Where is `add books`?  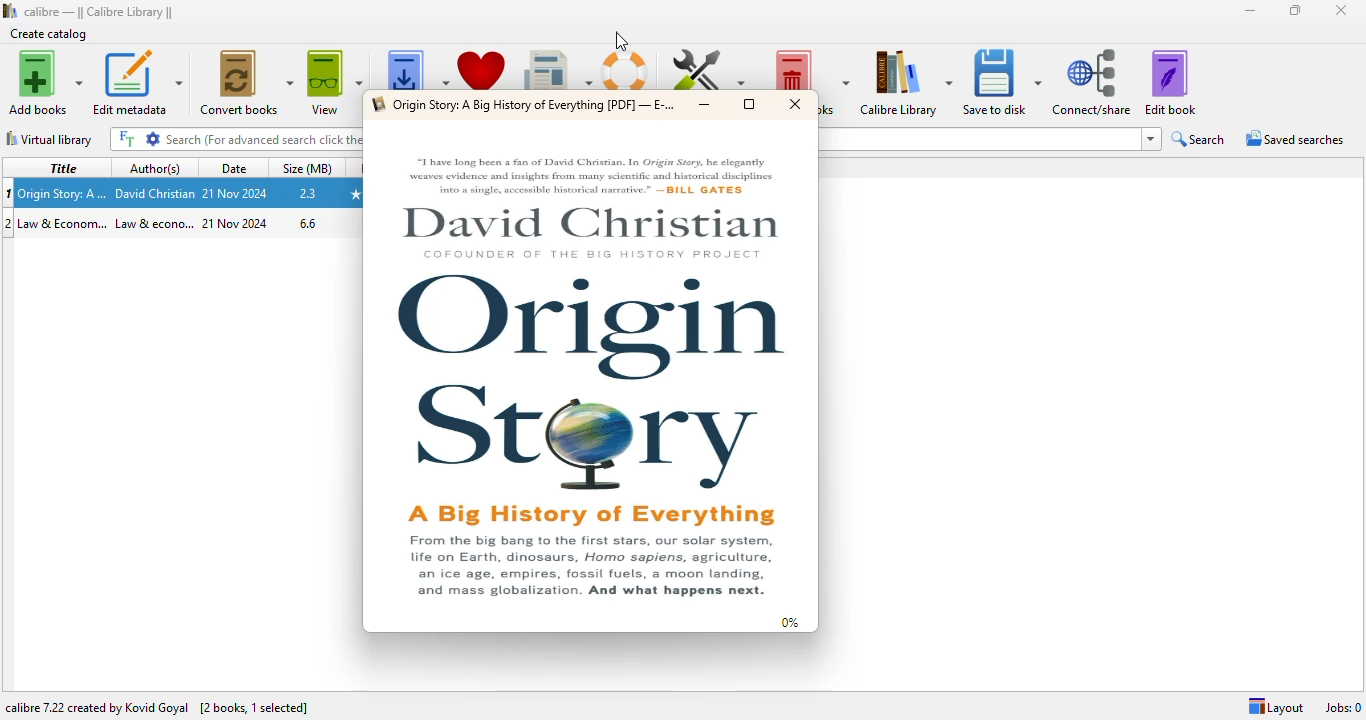
add books is located at coordinates (44, 82).